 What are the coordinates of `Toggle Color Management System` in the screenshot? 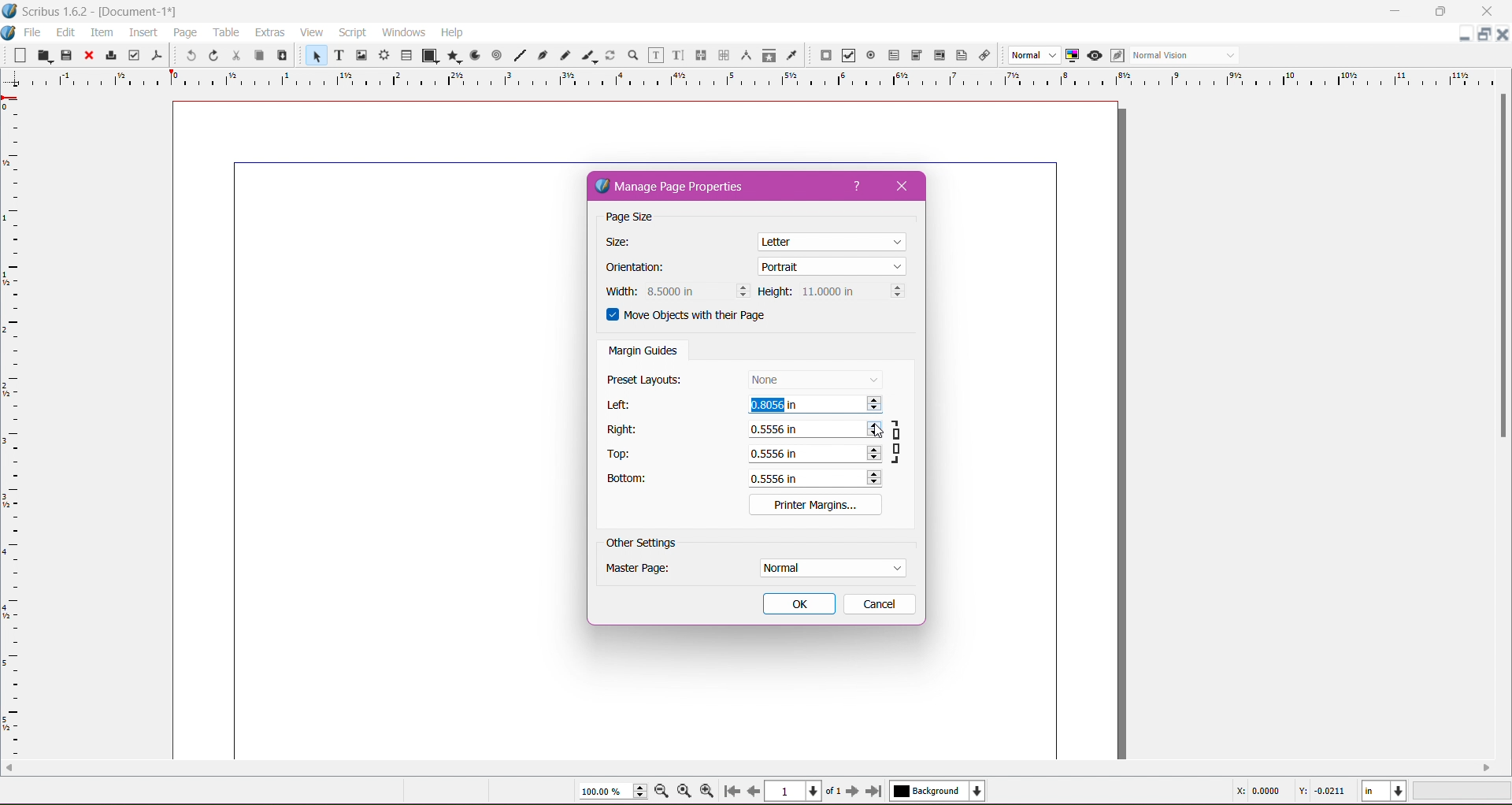 It's located at (1073, 55).